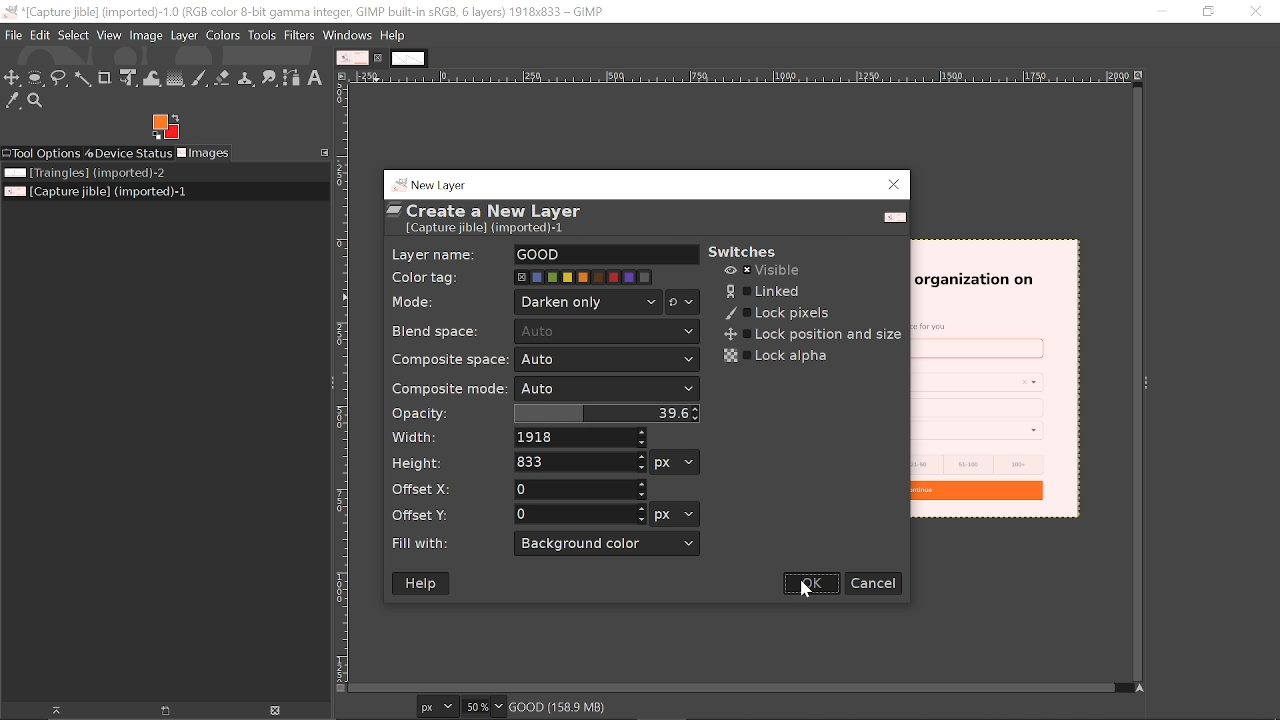  I want to click on current image, so click(996, 381).